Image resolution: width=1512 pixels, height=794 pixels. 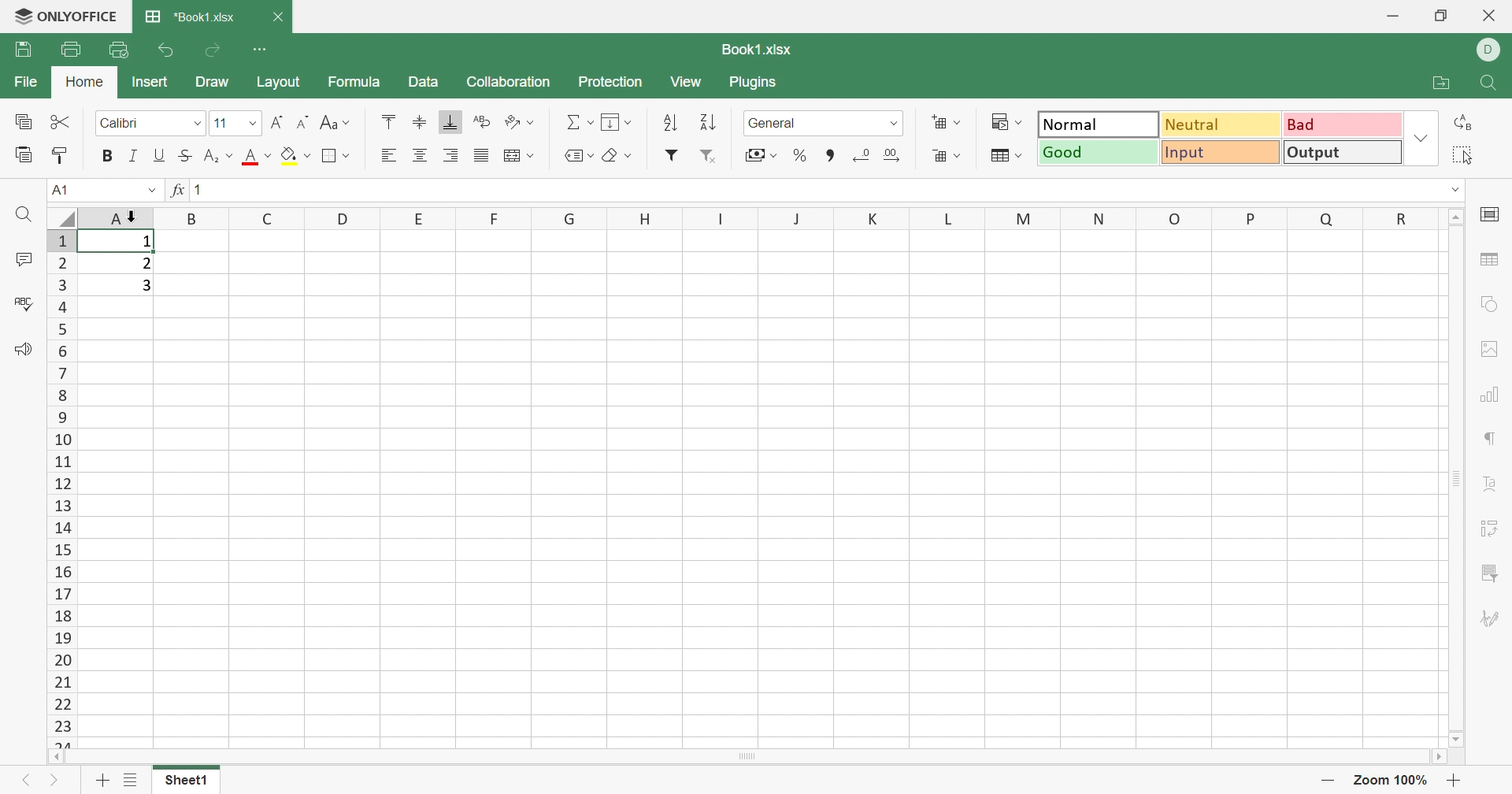 I want to click on Insert, so click(x=150, y=82).